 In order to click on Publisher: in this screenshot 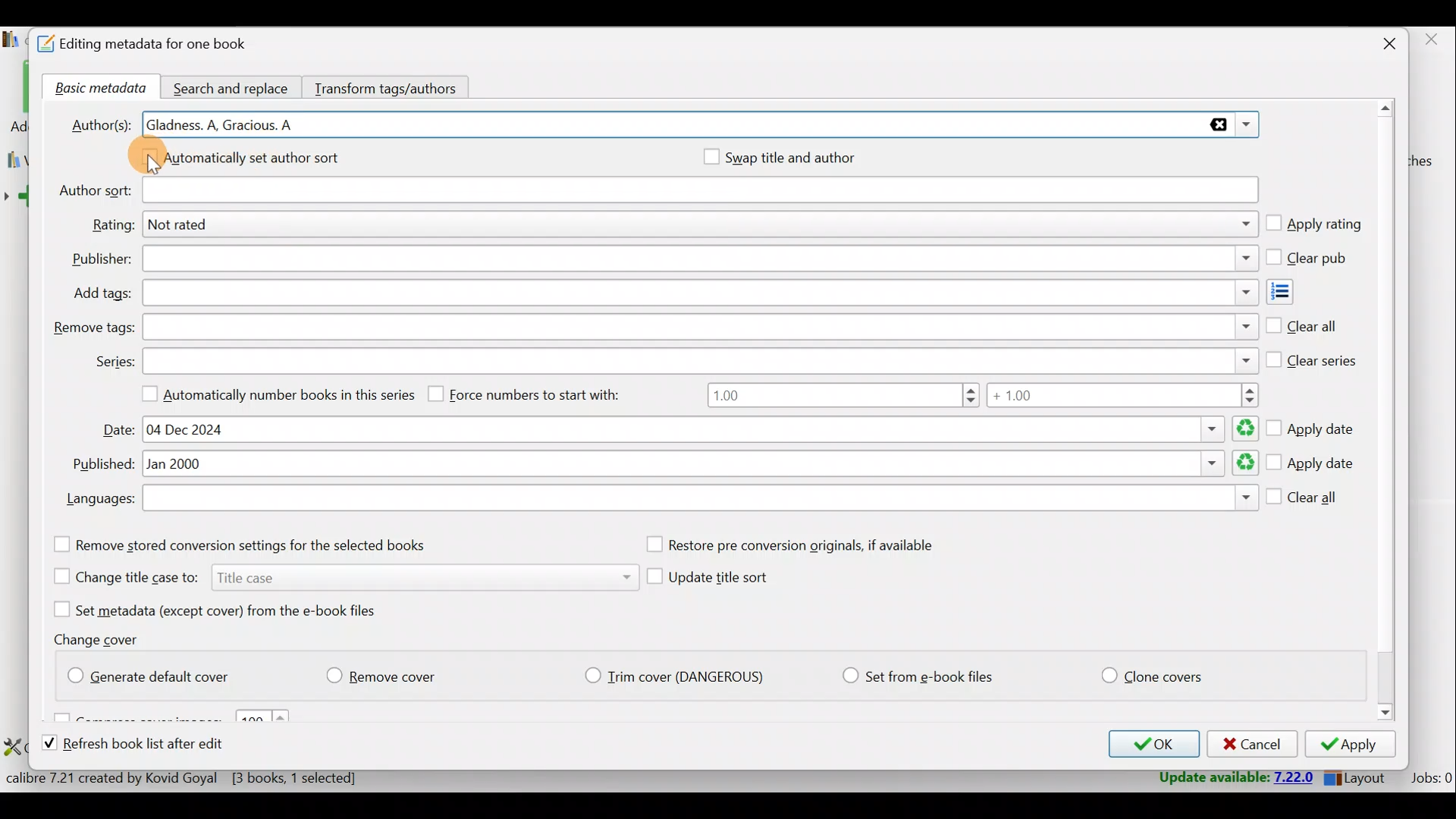, I will do `click(102, 259)`.